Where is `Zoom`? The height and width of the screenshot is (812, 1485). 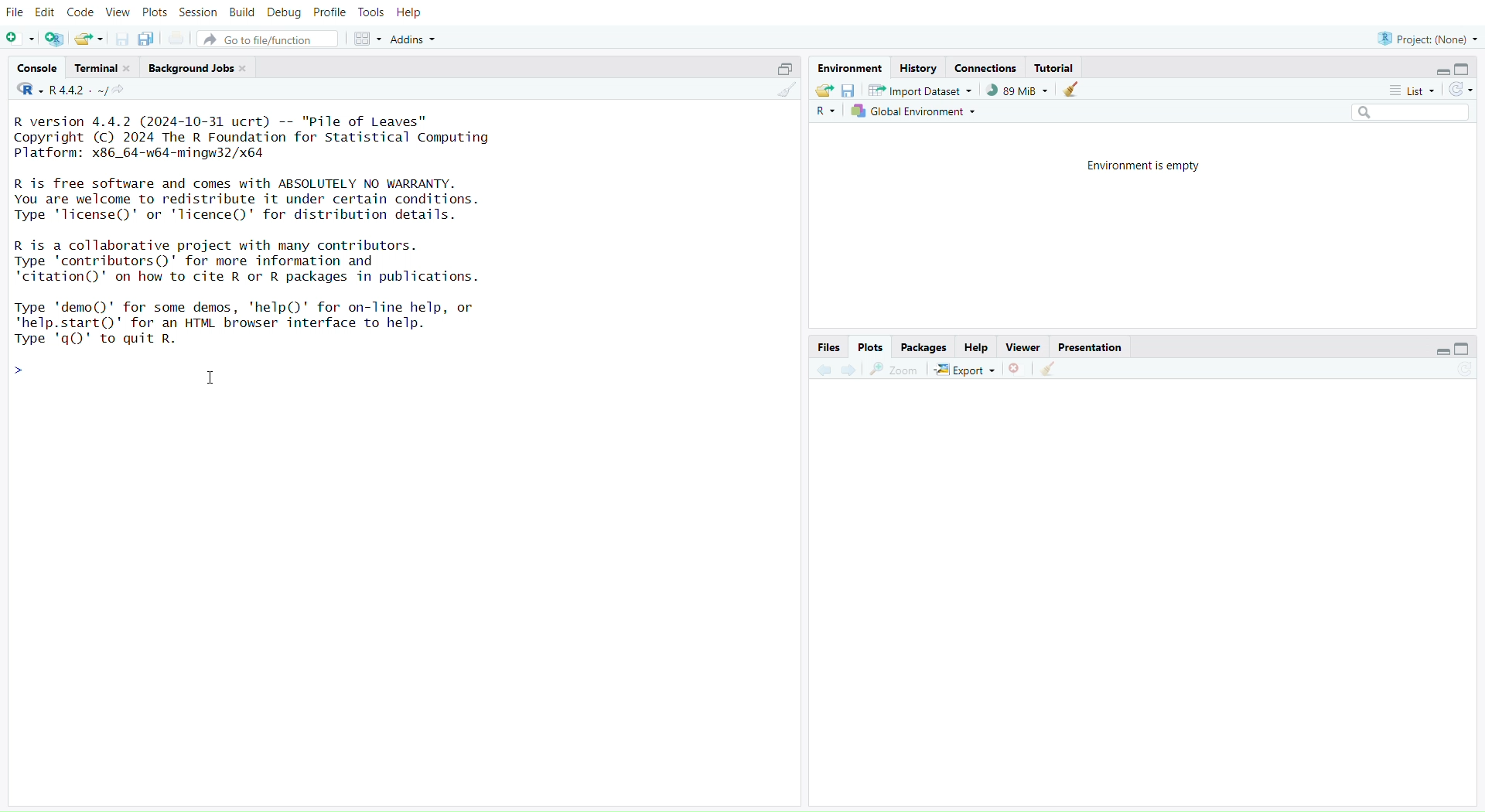 Zoom is located at coordinates (897, 369).